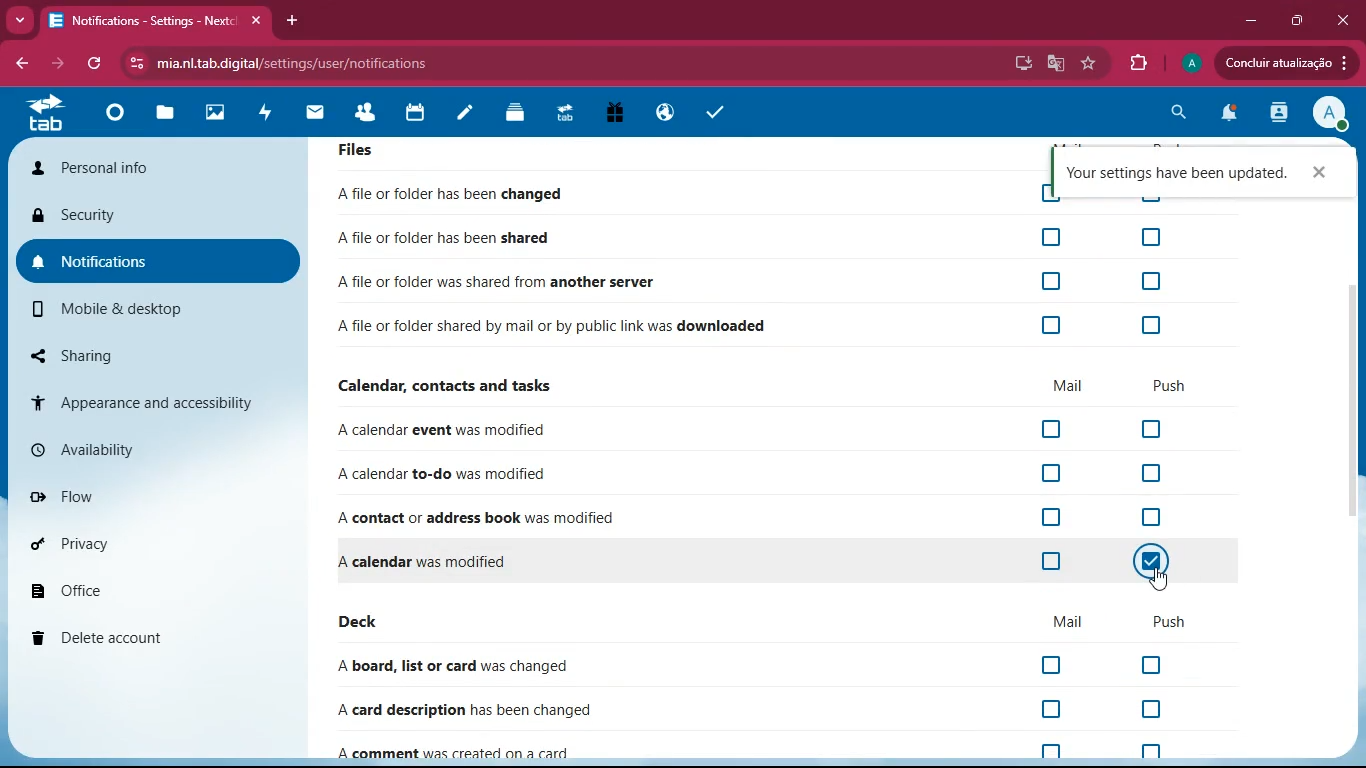 The height and width of the screenshot is (768, 1366). What do you see at coordinates (142, 310) in the screenshot?
I see `mobile` at bounding box center [142, 310].